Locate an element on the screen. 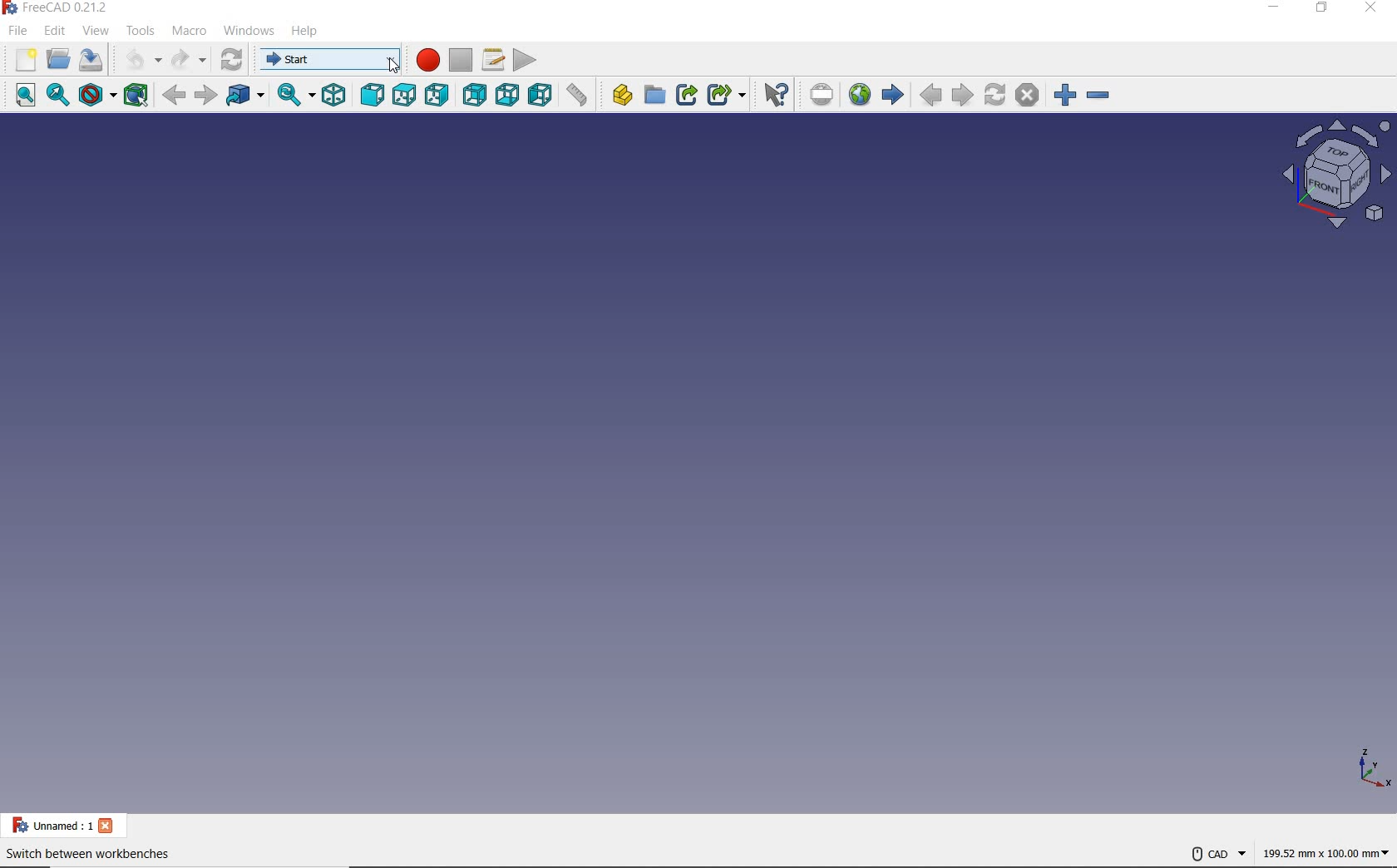 The height and width of the screenshot is (868, 1397). SKETCH VIEW is located at coordinates (1334, 175).